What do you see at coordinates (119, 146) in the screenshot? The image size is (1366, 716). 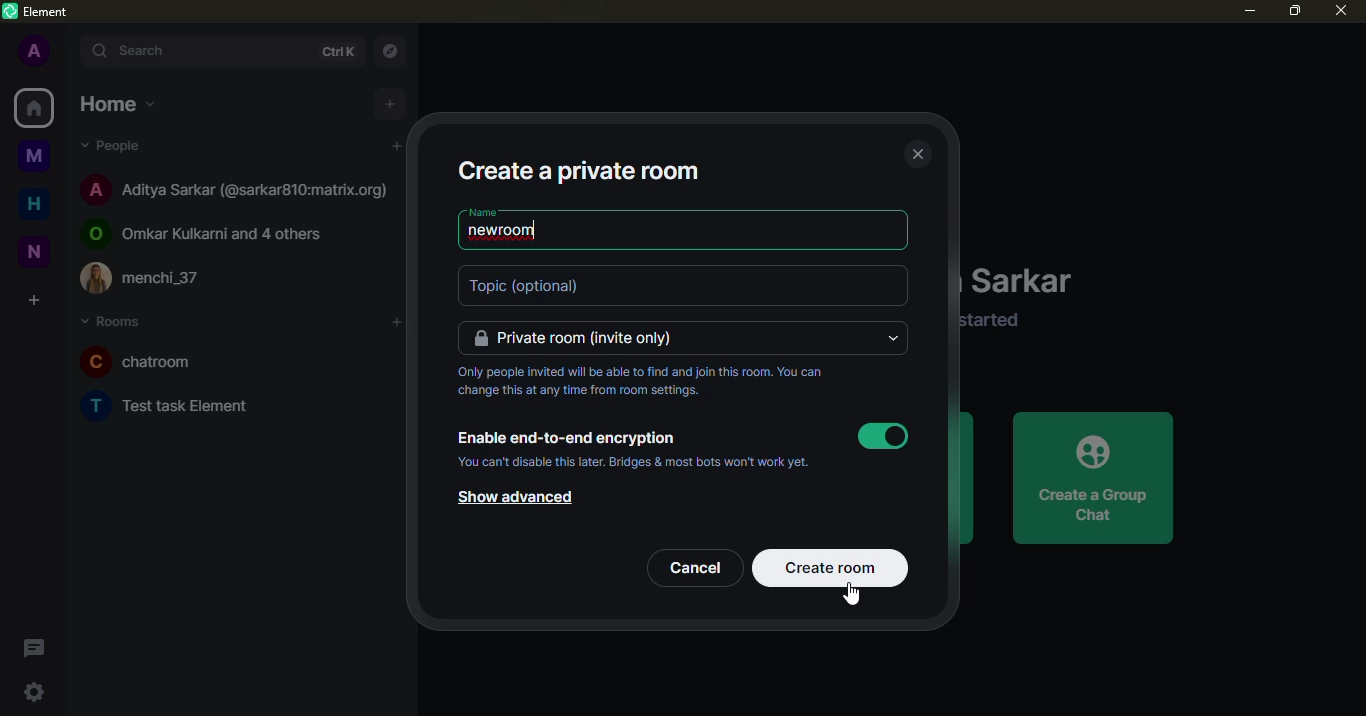 I see `people` at bounding box center [119, 146].